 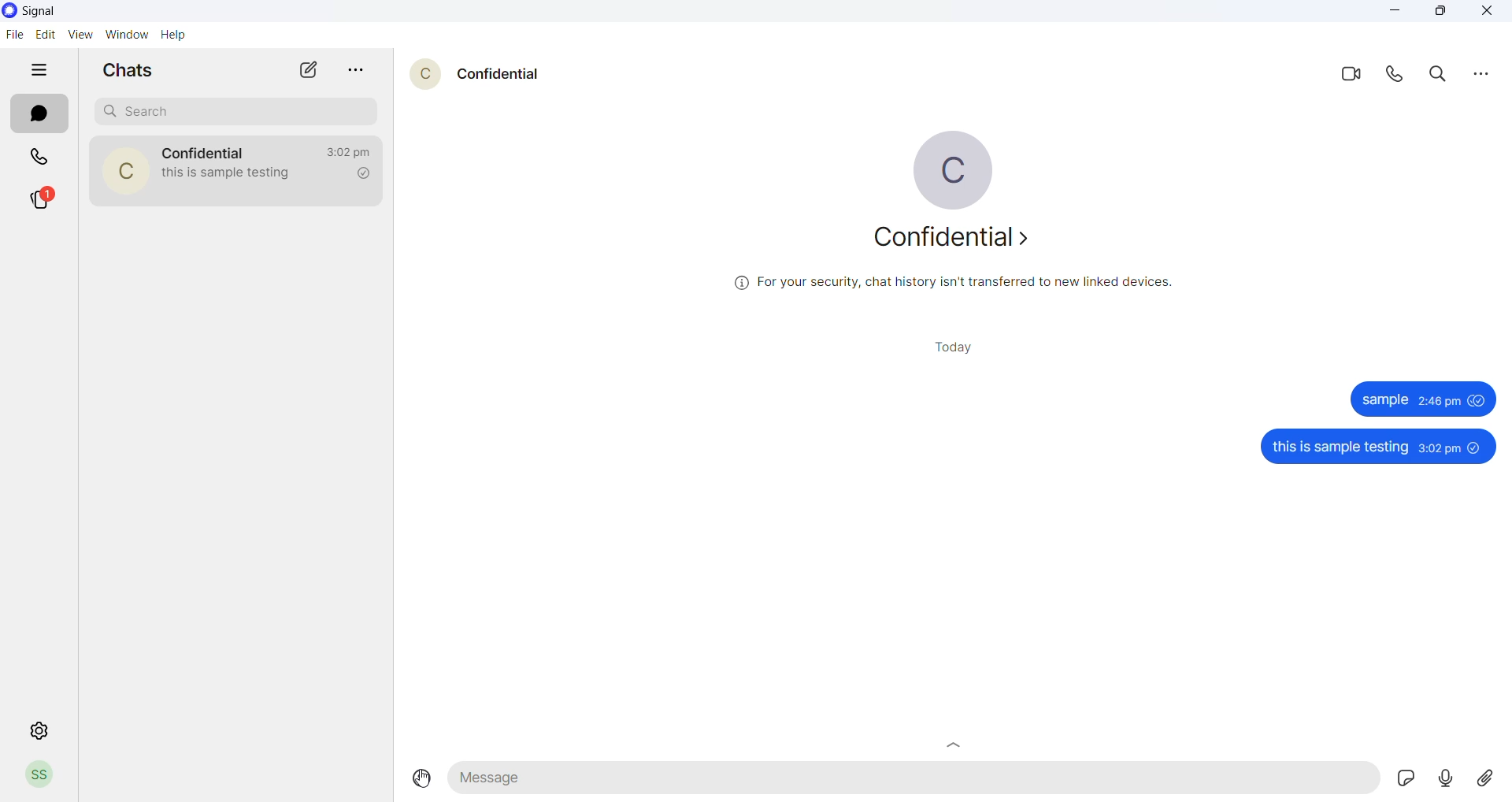 What do you see at coordinates (37, 71) in the screenshot?
I see `hide` at bounding box center [37, 71].